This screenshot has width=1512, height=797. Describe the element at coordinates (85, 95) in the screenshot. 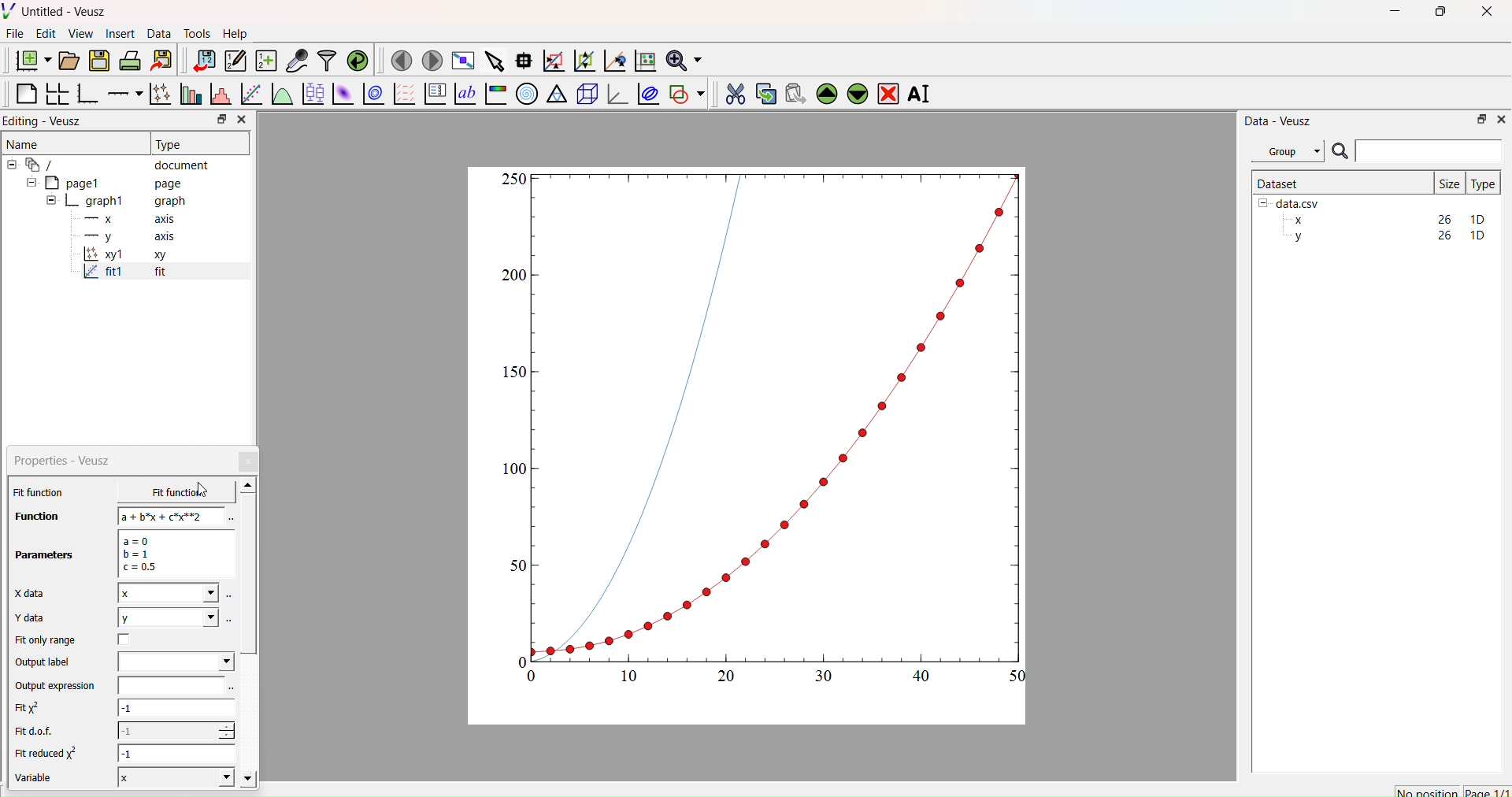

I see `Base Graph` at that location.